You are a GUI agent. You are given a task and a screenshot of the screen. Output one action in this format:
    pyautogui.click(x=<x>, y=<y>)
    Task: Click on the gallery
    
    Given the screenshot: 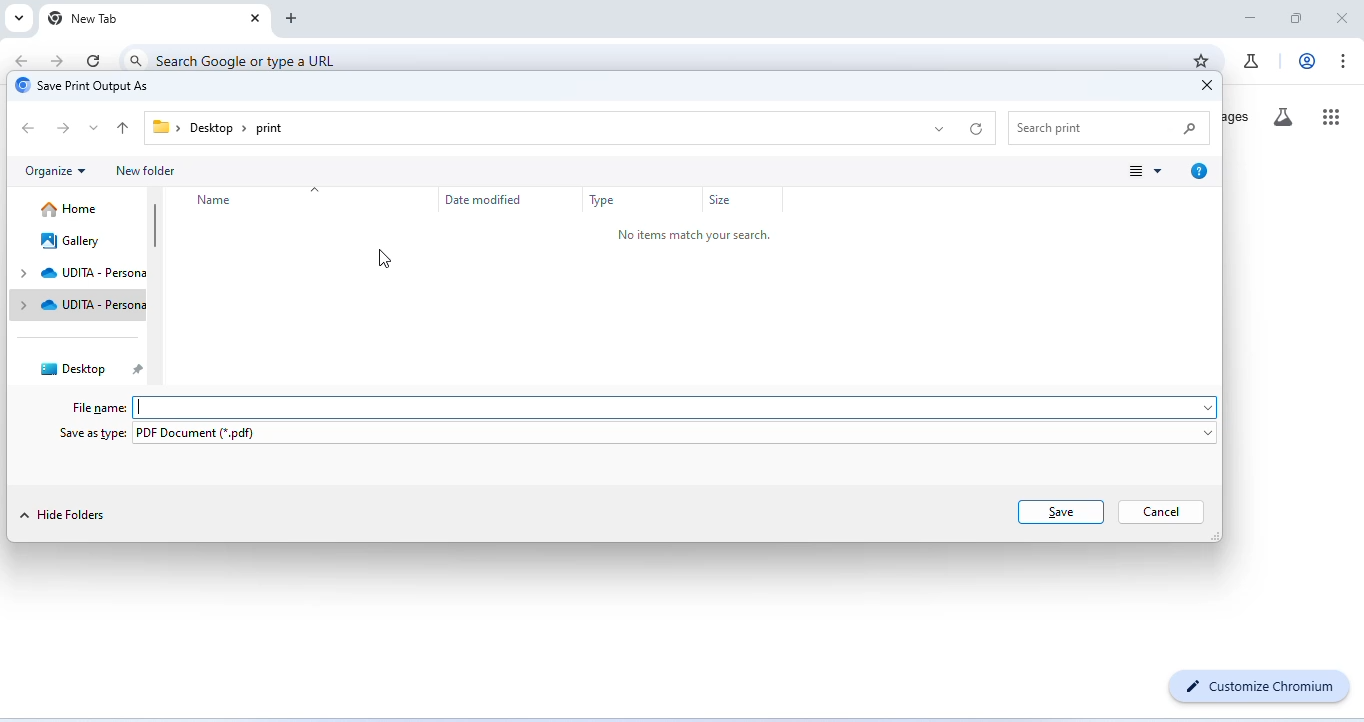 What is the action you would take?
    pyautogui.click(x=73, y=240)
    